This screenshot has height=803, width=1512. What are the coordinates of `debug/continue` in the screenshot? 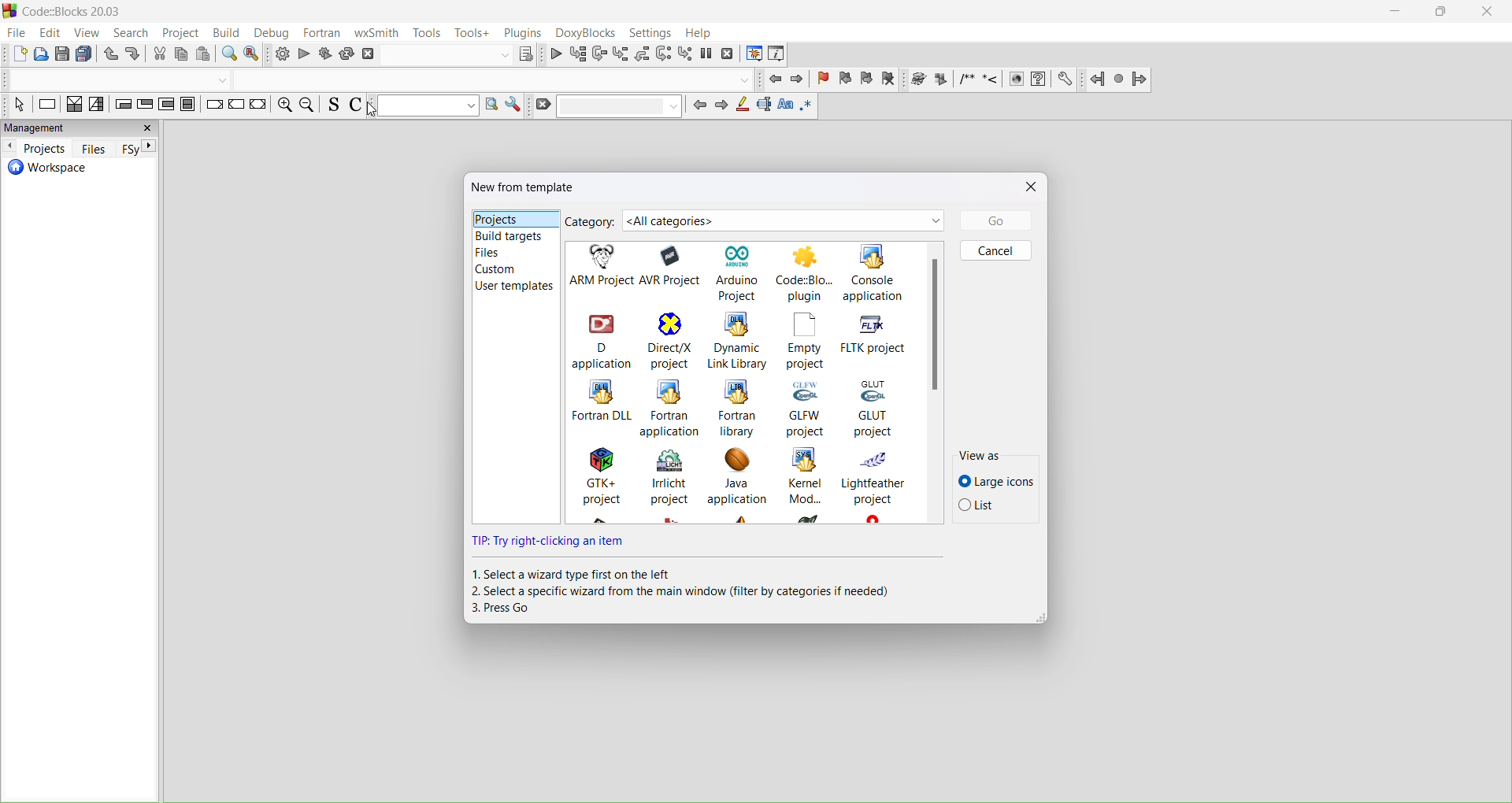 It's located at (555, 52).